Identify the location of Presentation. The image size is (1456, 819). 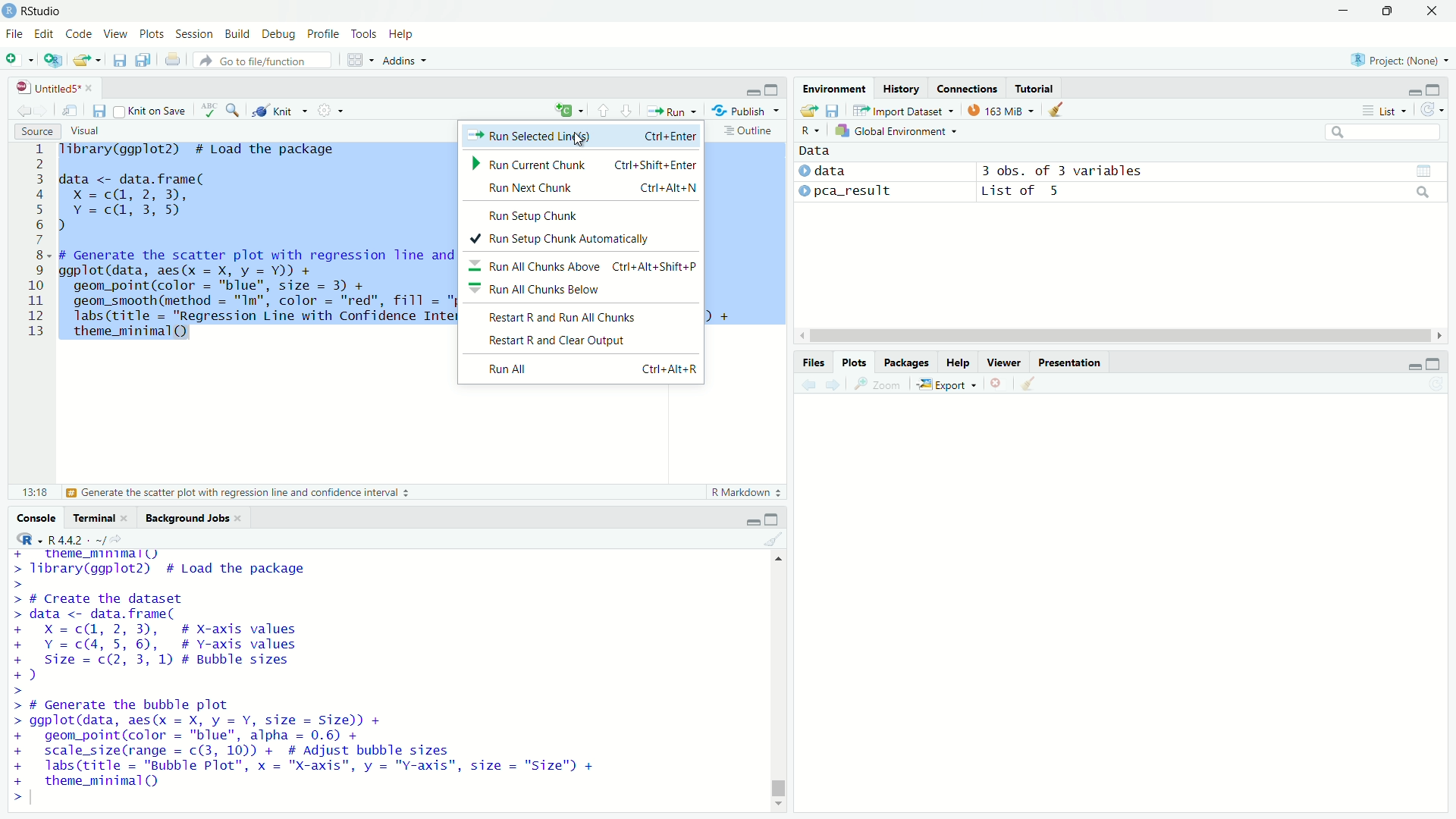
(1069, 362).